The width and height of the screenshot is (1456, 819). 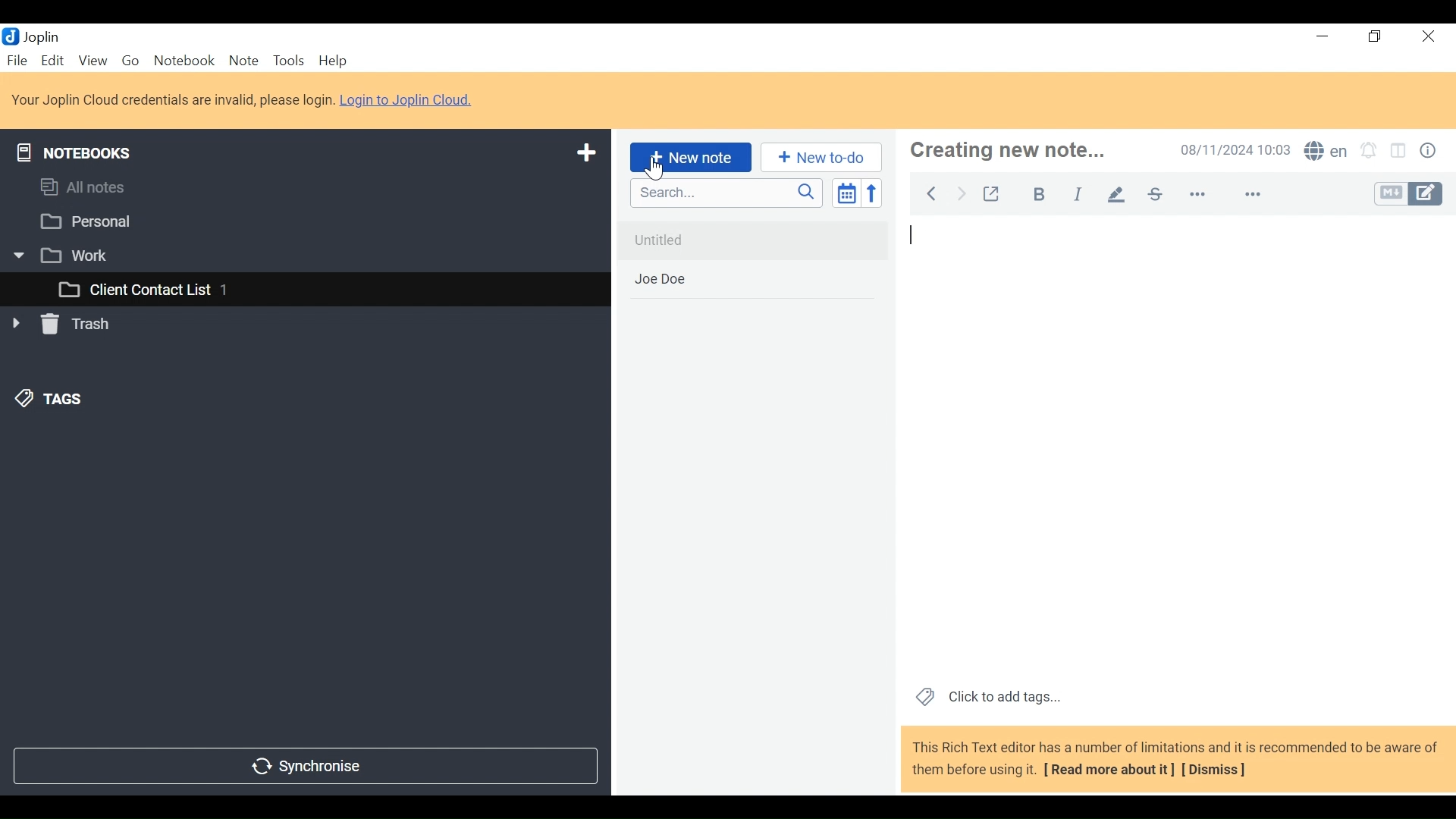 I want to click on 08/11/2024 10:03, so click(x=1235, y=149).